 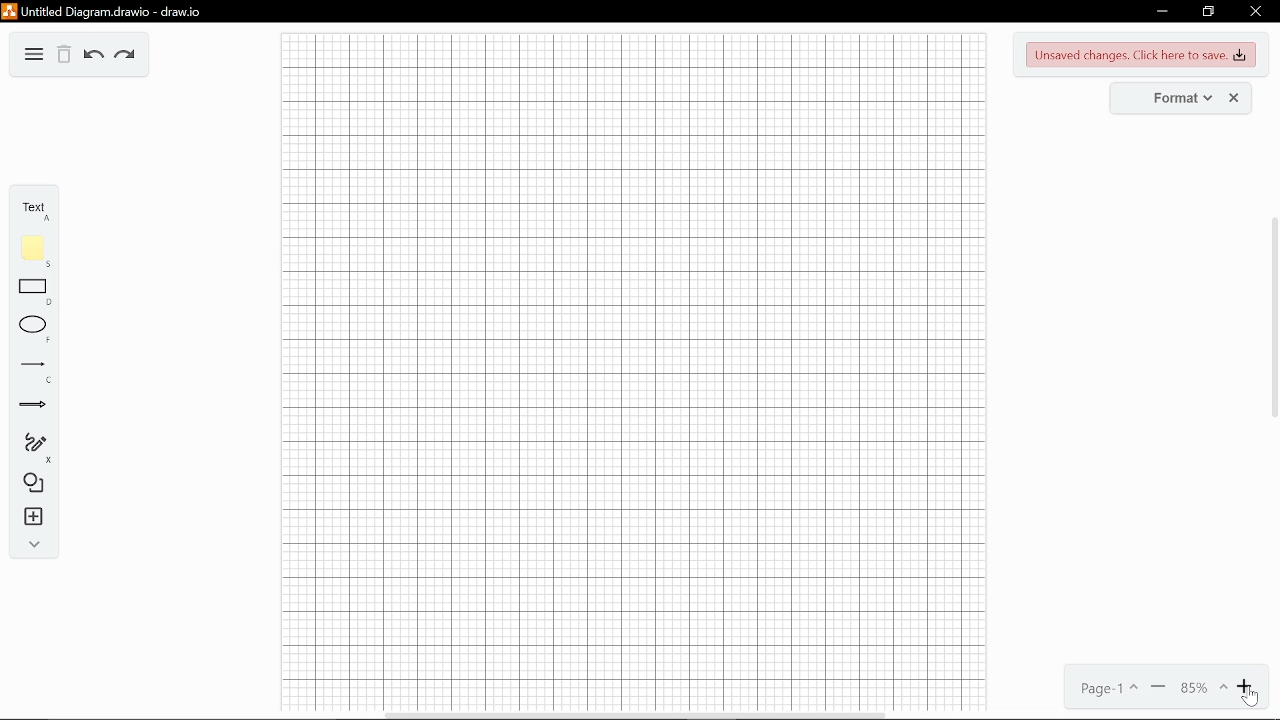 What do you see at coordinates (27, 447) in the screenshot?
I see `freehand` at bounding box center [27, 447].